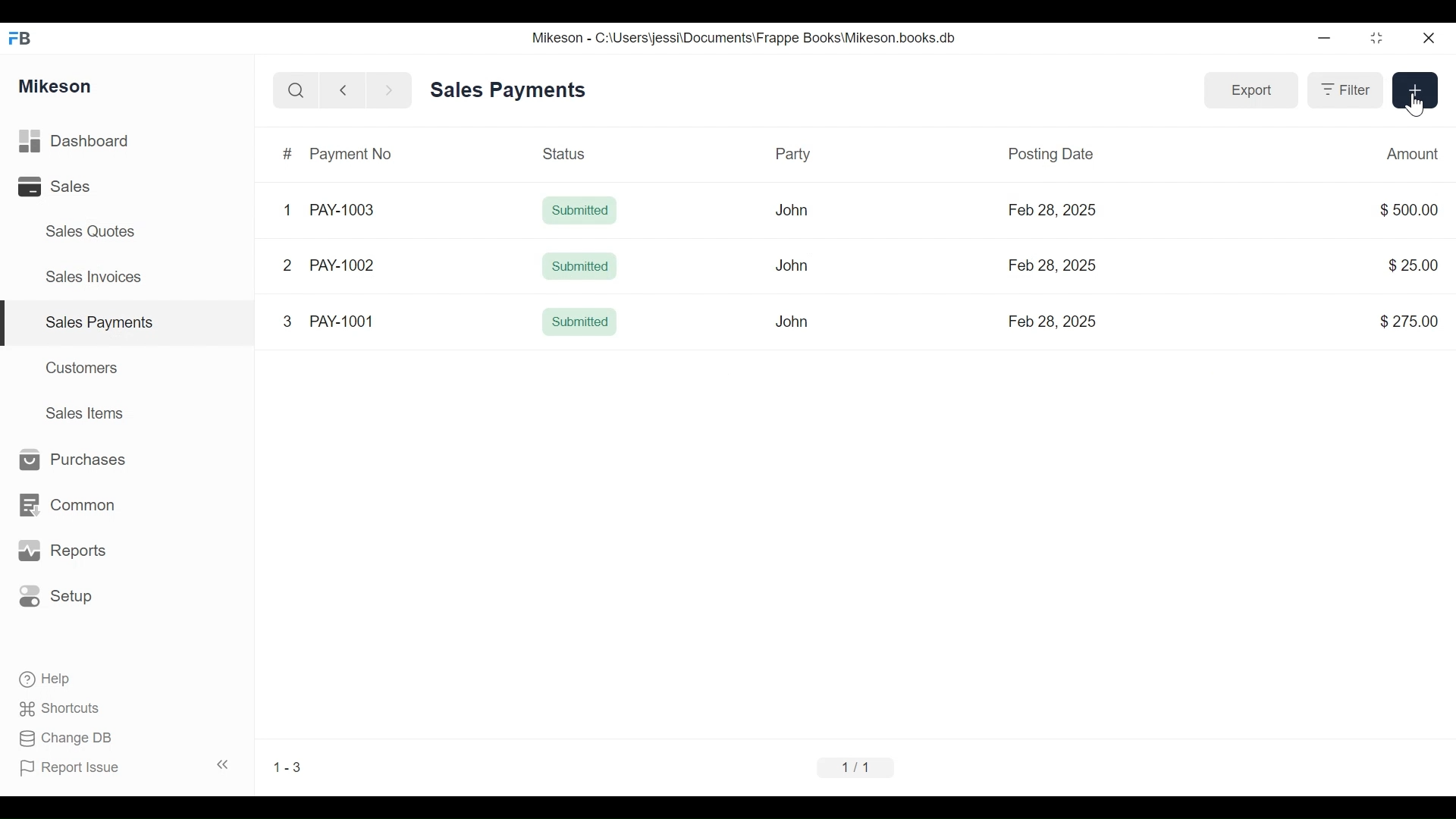  I want to click on John, so click(797, 271).